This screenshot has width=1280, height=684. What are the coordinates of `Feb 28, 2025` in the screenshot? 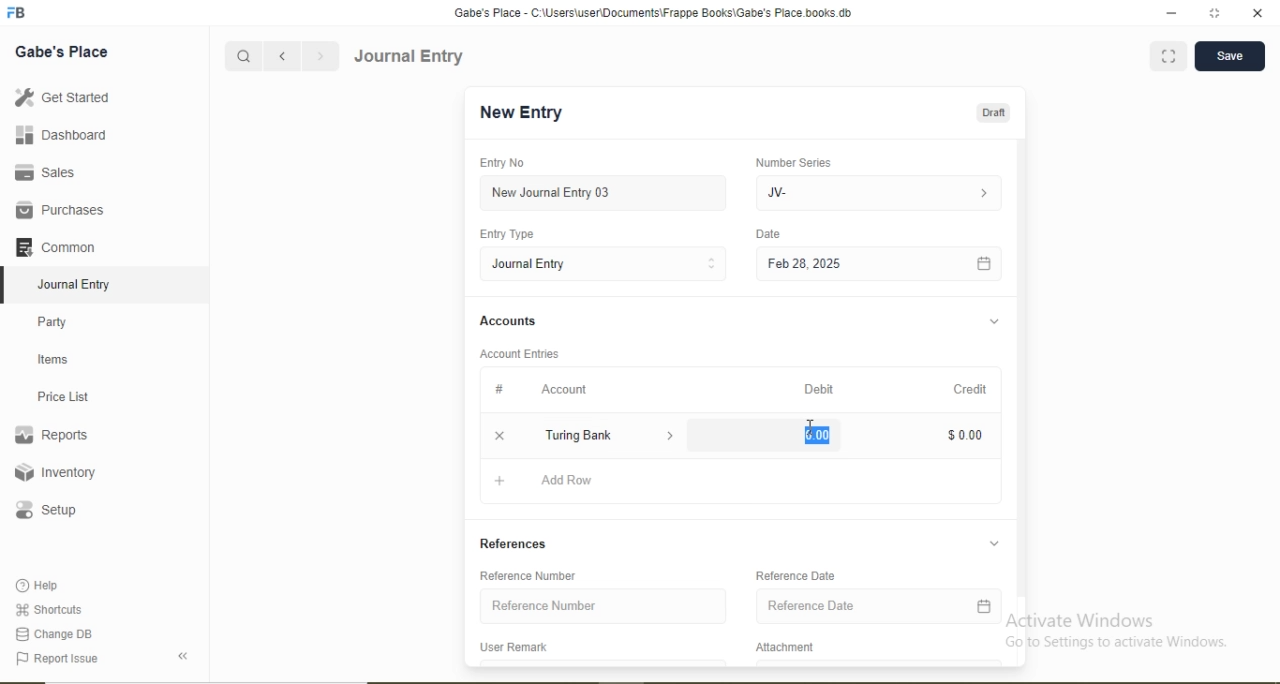 It's located at (804, 263).